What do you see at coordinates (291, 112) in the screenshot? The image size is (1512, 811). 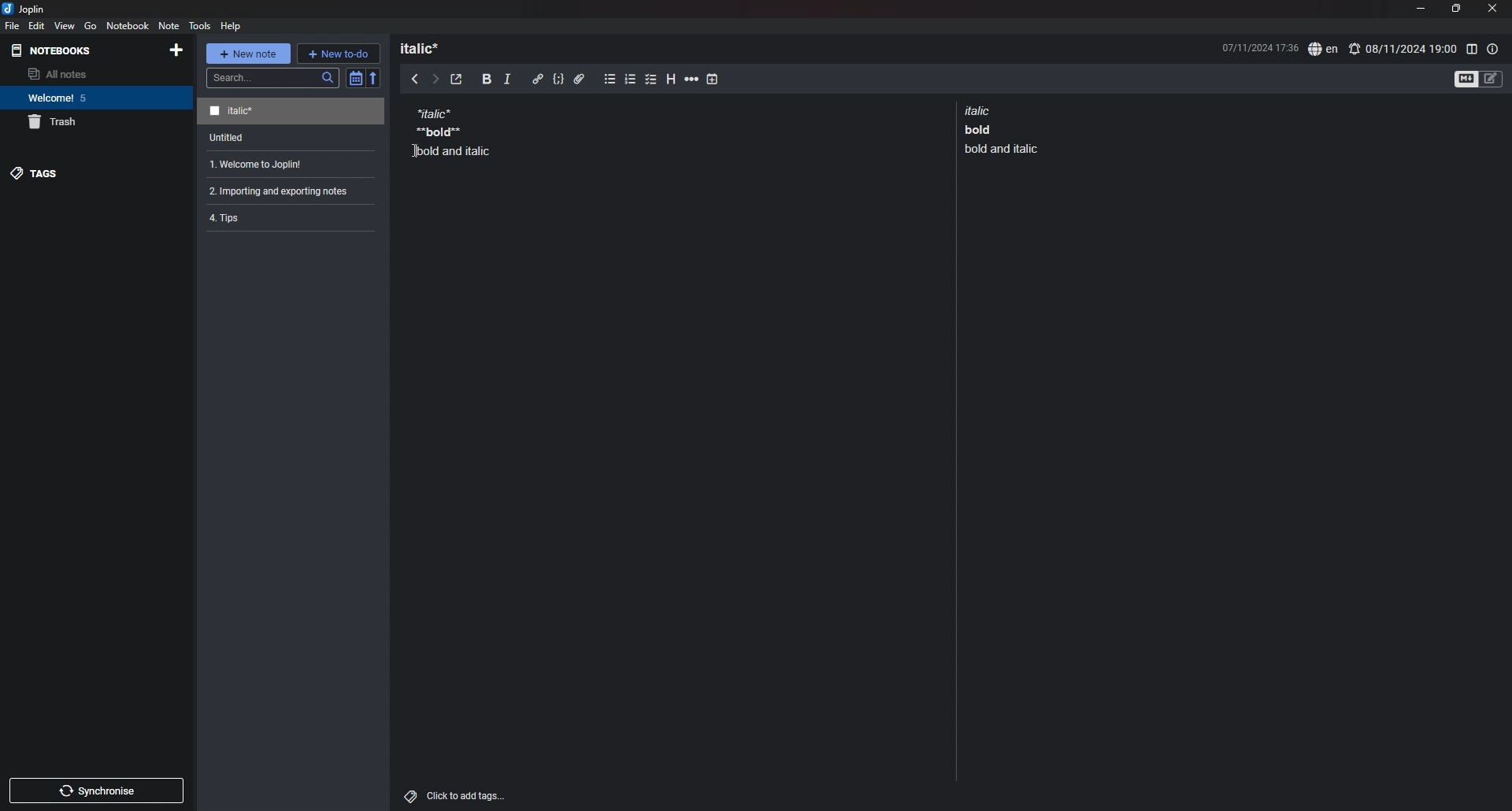 I see `note` at bounding box center [291, 112].